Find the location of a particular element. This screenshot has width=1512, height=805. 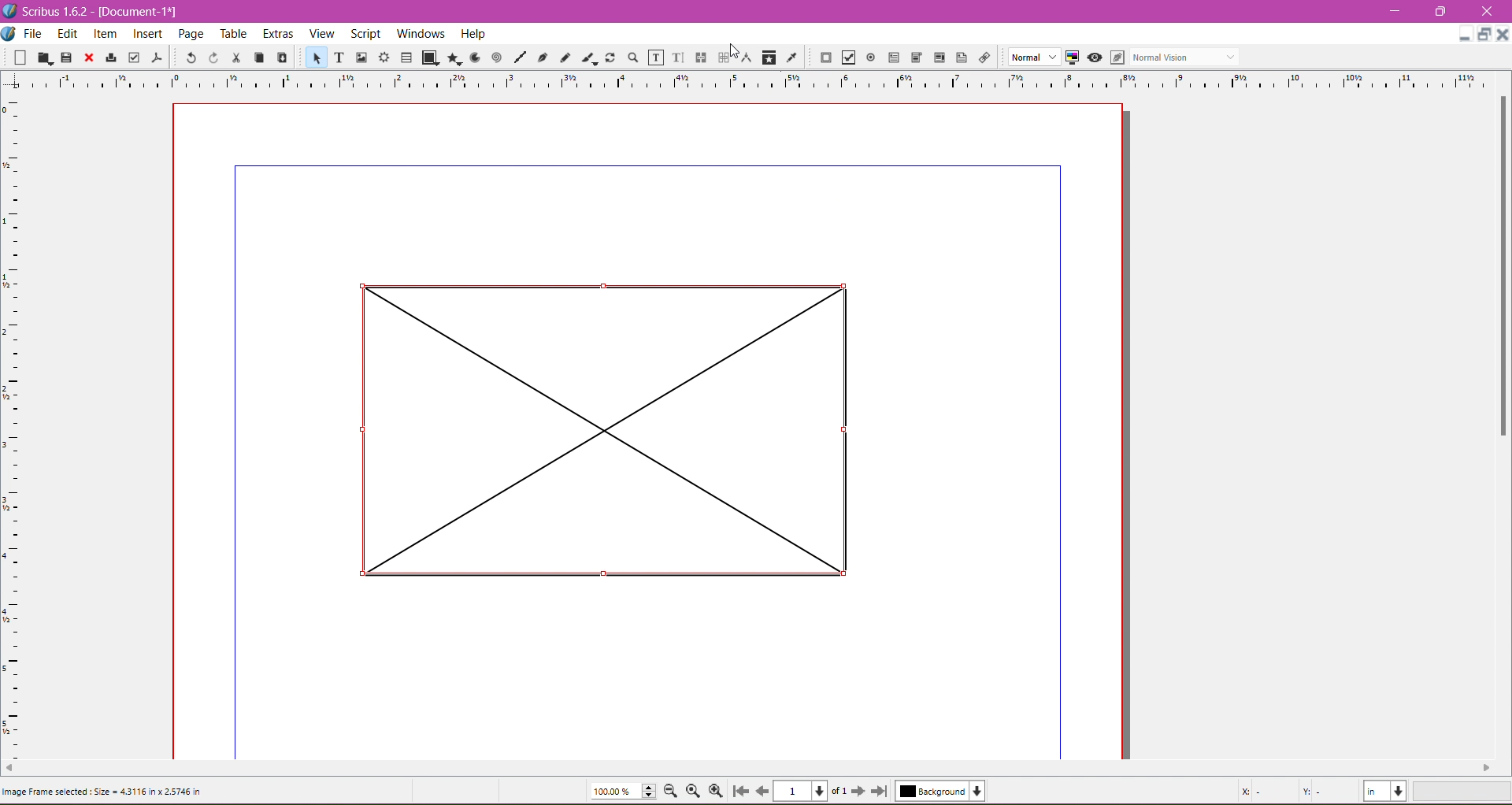

Edit Text with Story Editor is located at coordinates (678, 57).